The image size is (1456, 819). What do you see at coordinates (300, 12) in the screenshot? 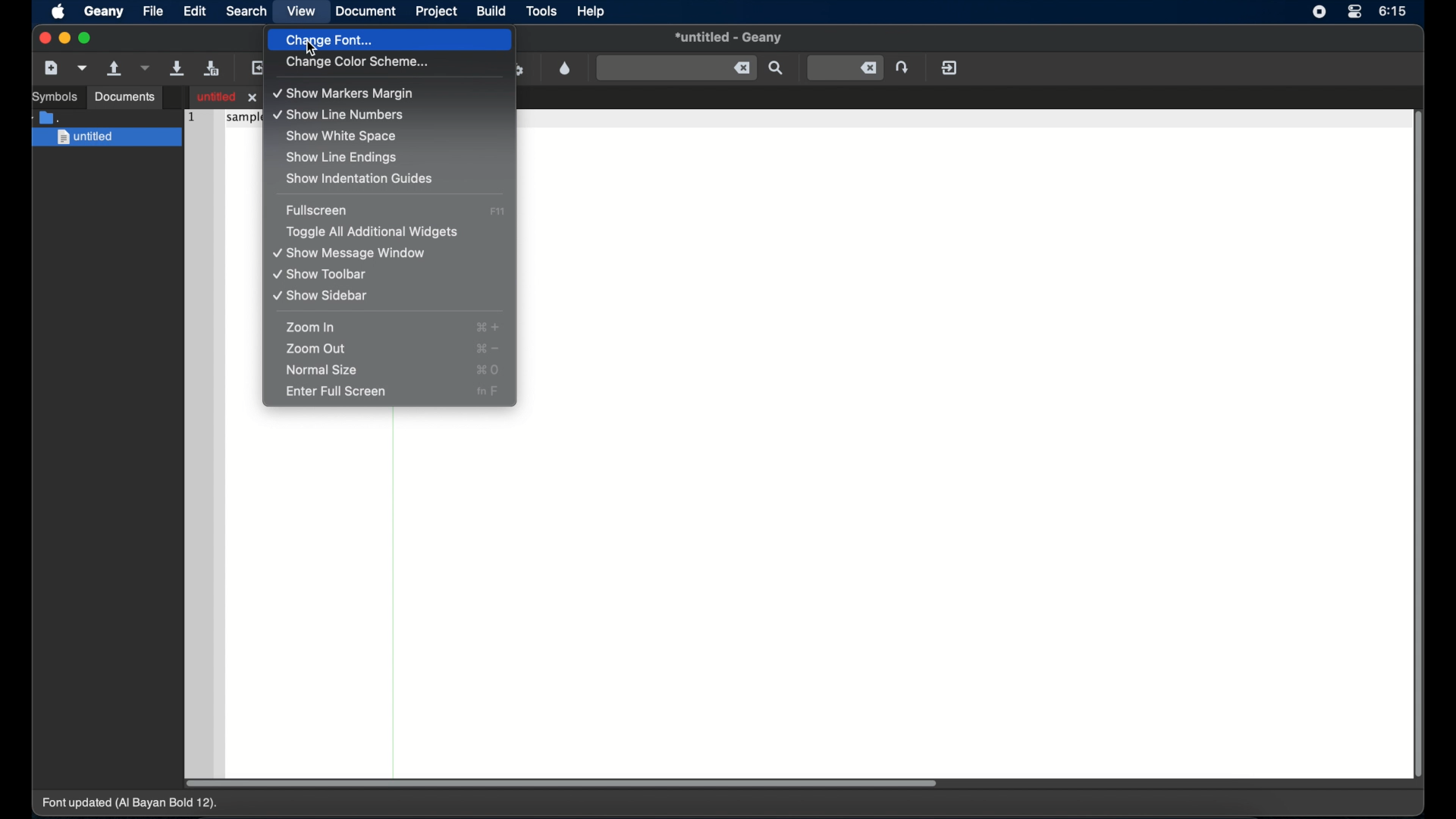
I see `view` at bounding box center [300, 12].